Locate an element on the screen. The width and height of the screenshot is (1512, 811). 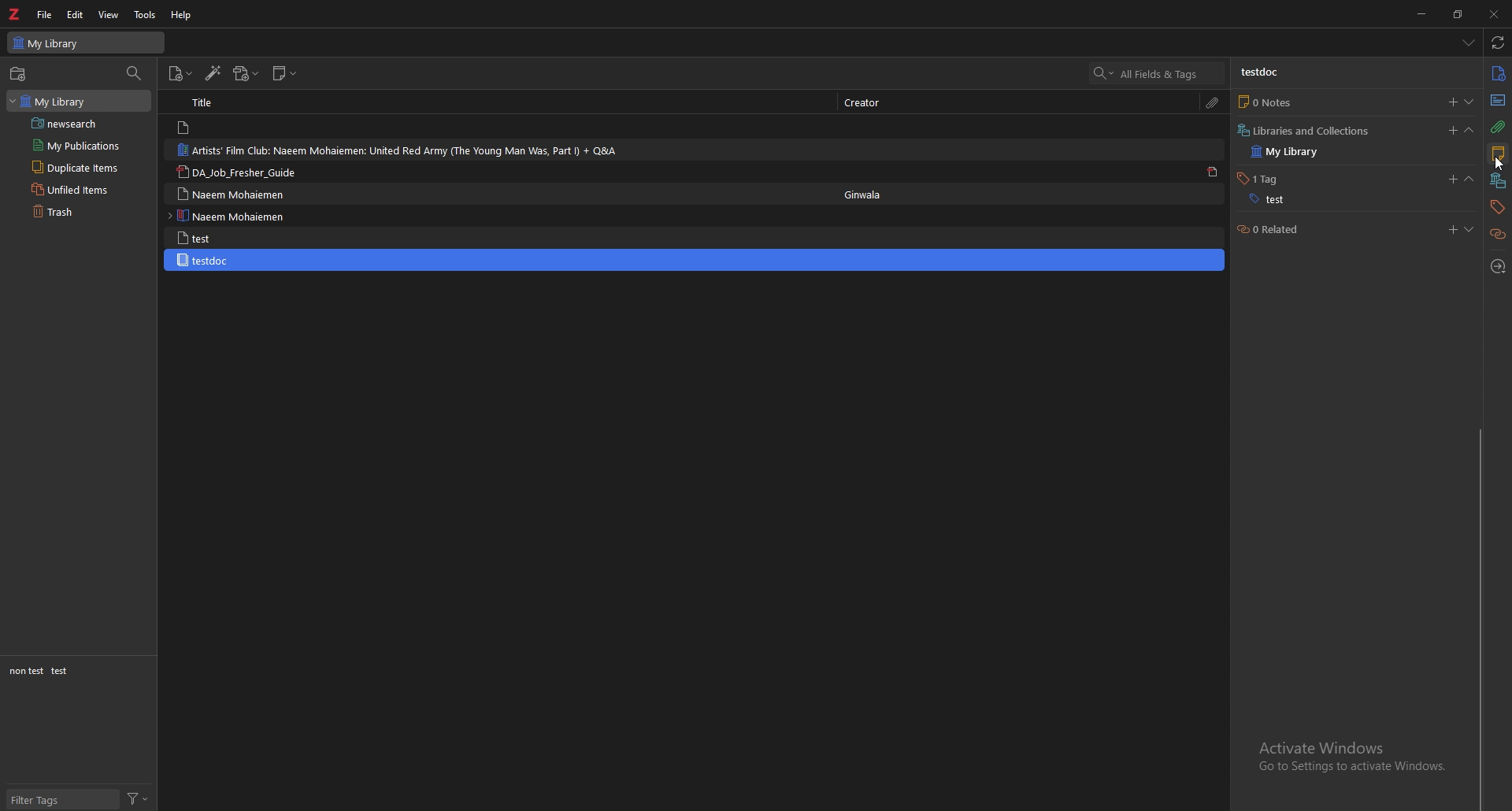
minimize is located at coordinates (1419, 13).